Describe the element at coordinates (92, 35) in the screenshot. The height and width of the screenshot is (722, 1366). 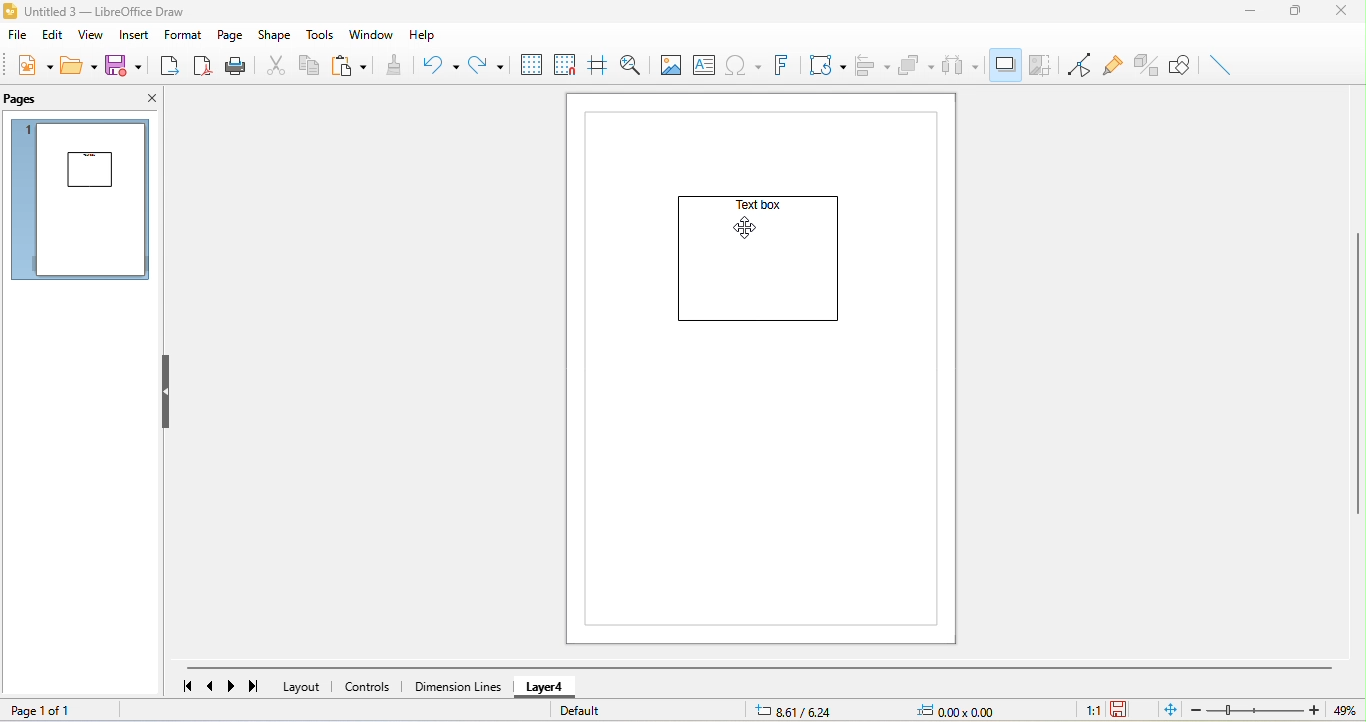
I see `view` at that location.